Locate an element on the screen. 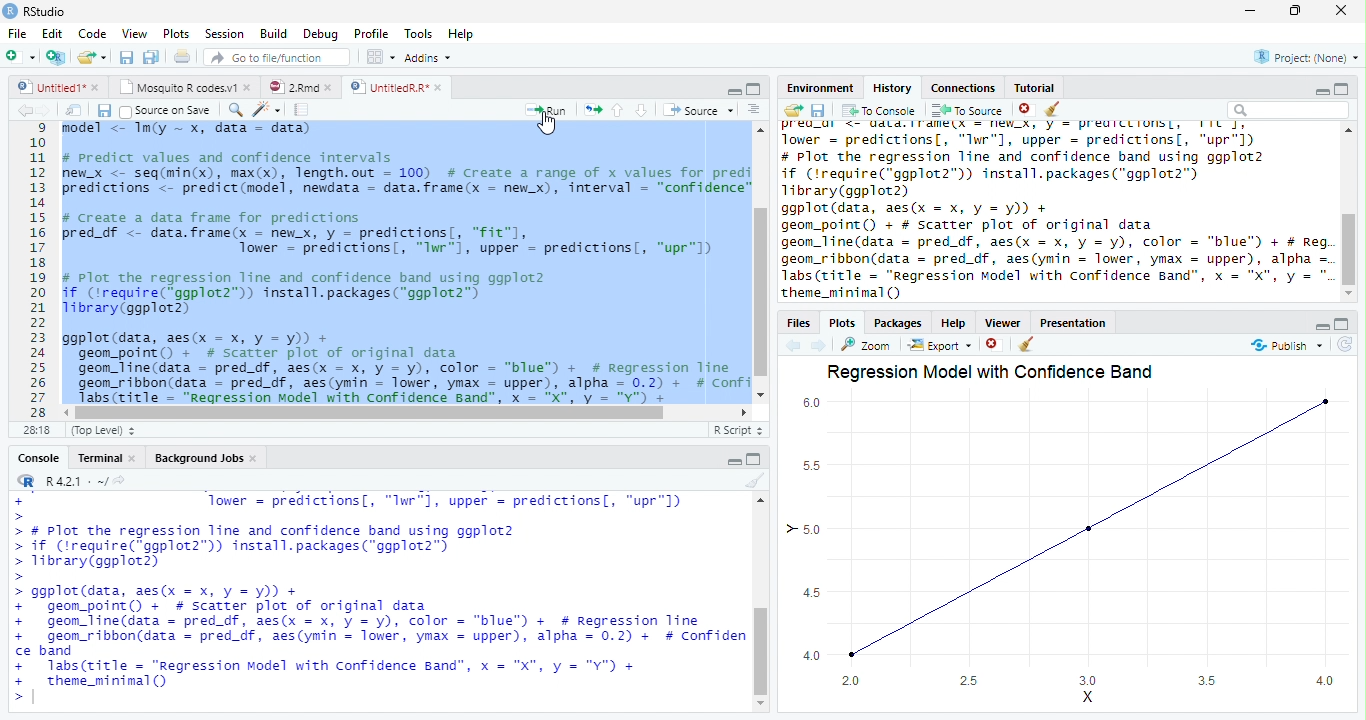  Next is located at coordinates (44, 111).